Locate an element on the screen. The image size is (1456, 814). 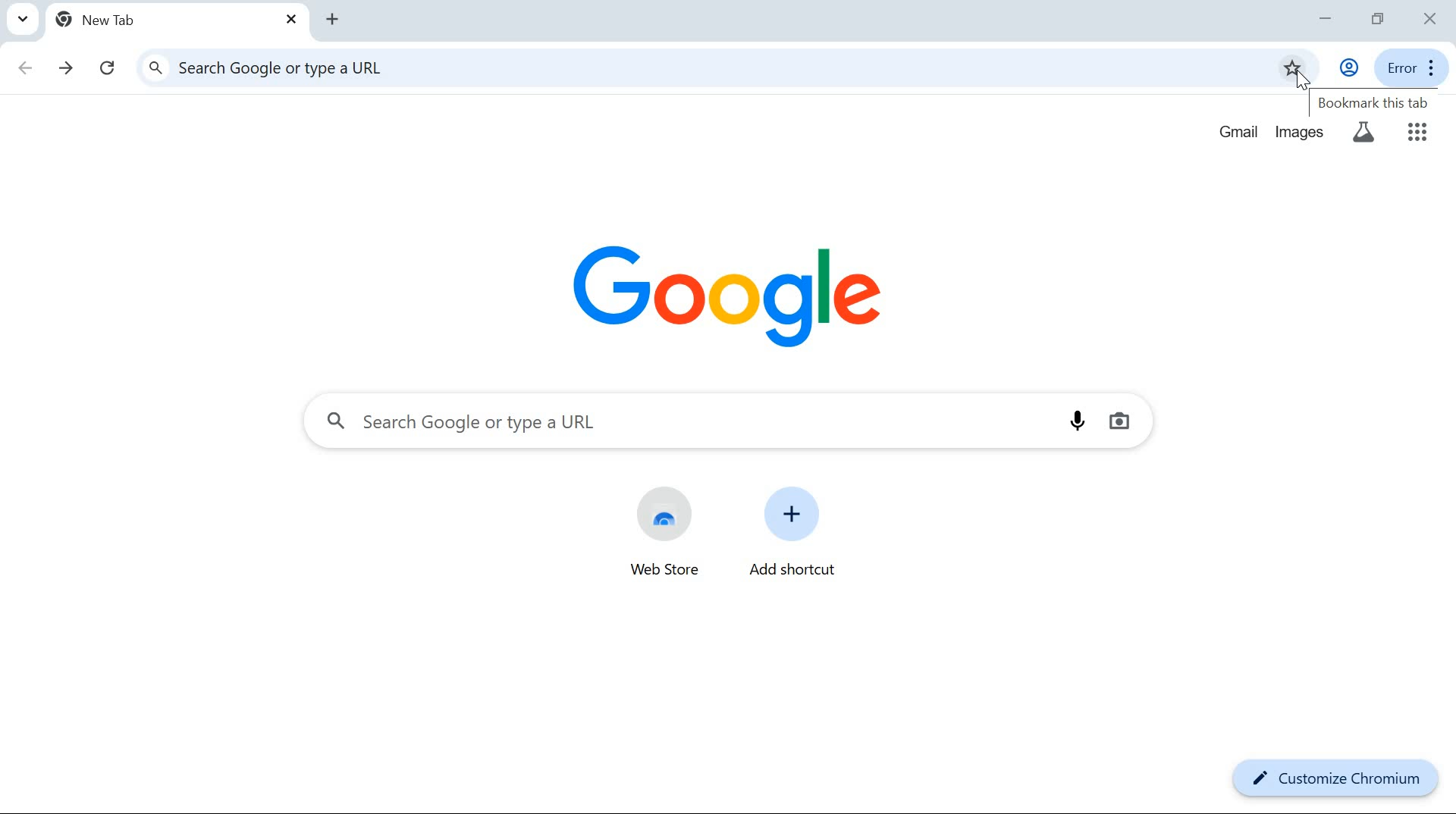
mouse pointer is located at coordinates (1301, 82).